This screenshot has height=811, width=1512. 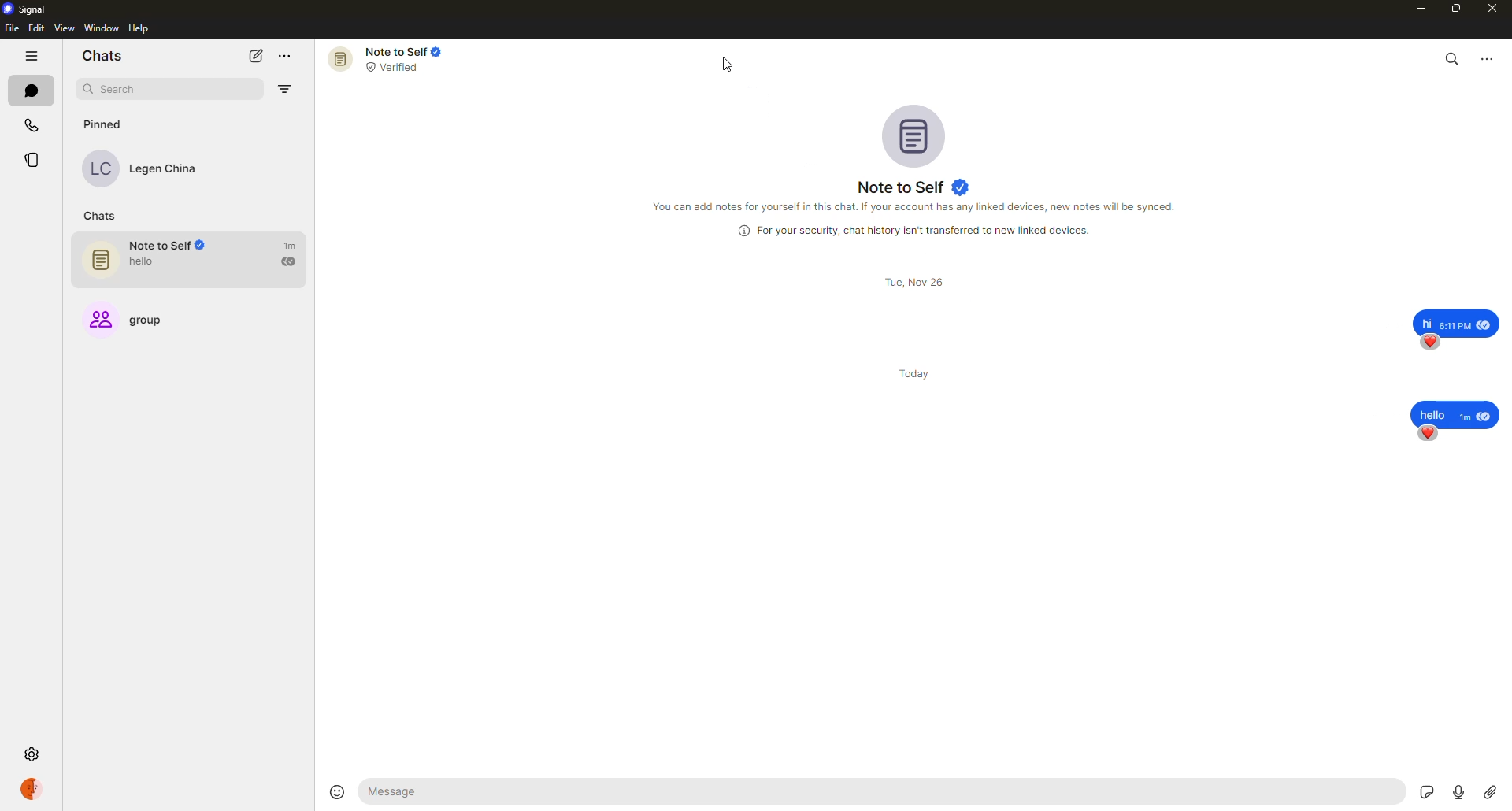 What do you see at coordinates (1455, 788) in the screenshot?
I see `record` at bounding box center [1455, 788].